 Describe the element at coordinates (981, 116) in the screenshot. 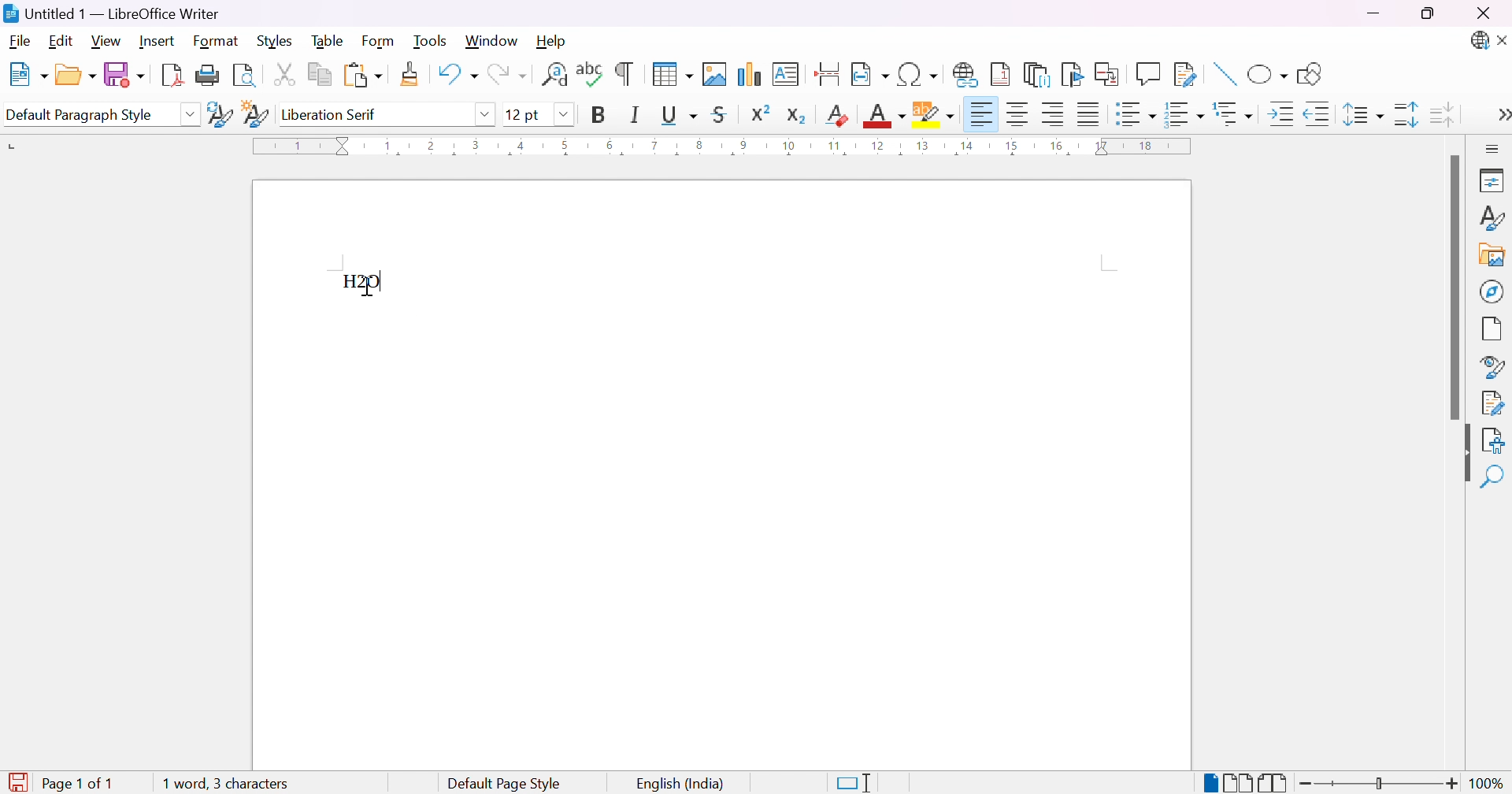

I see `Align left` at that location.